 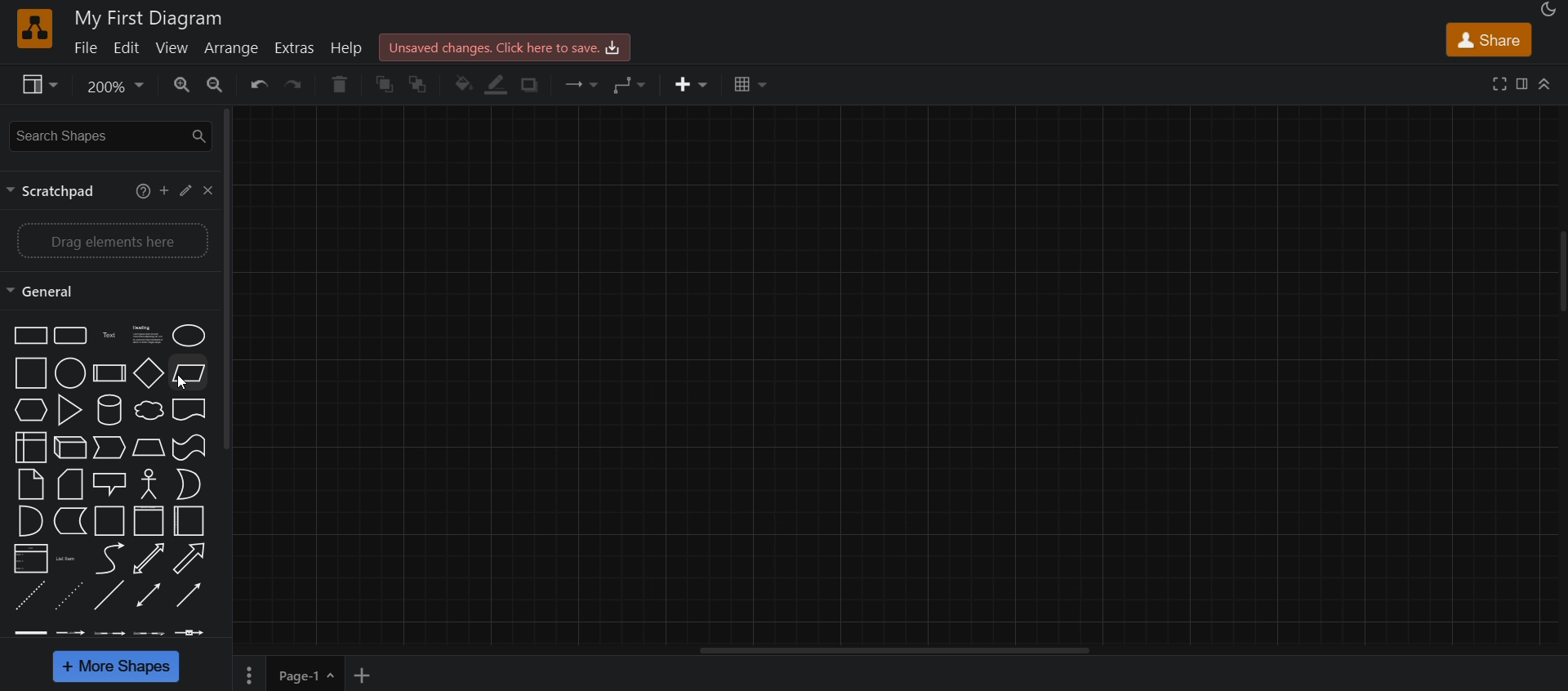 I want to click on help, so click(x=348, y=50).